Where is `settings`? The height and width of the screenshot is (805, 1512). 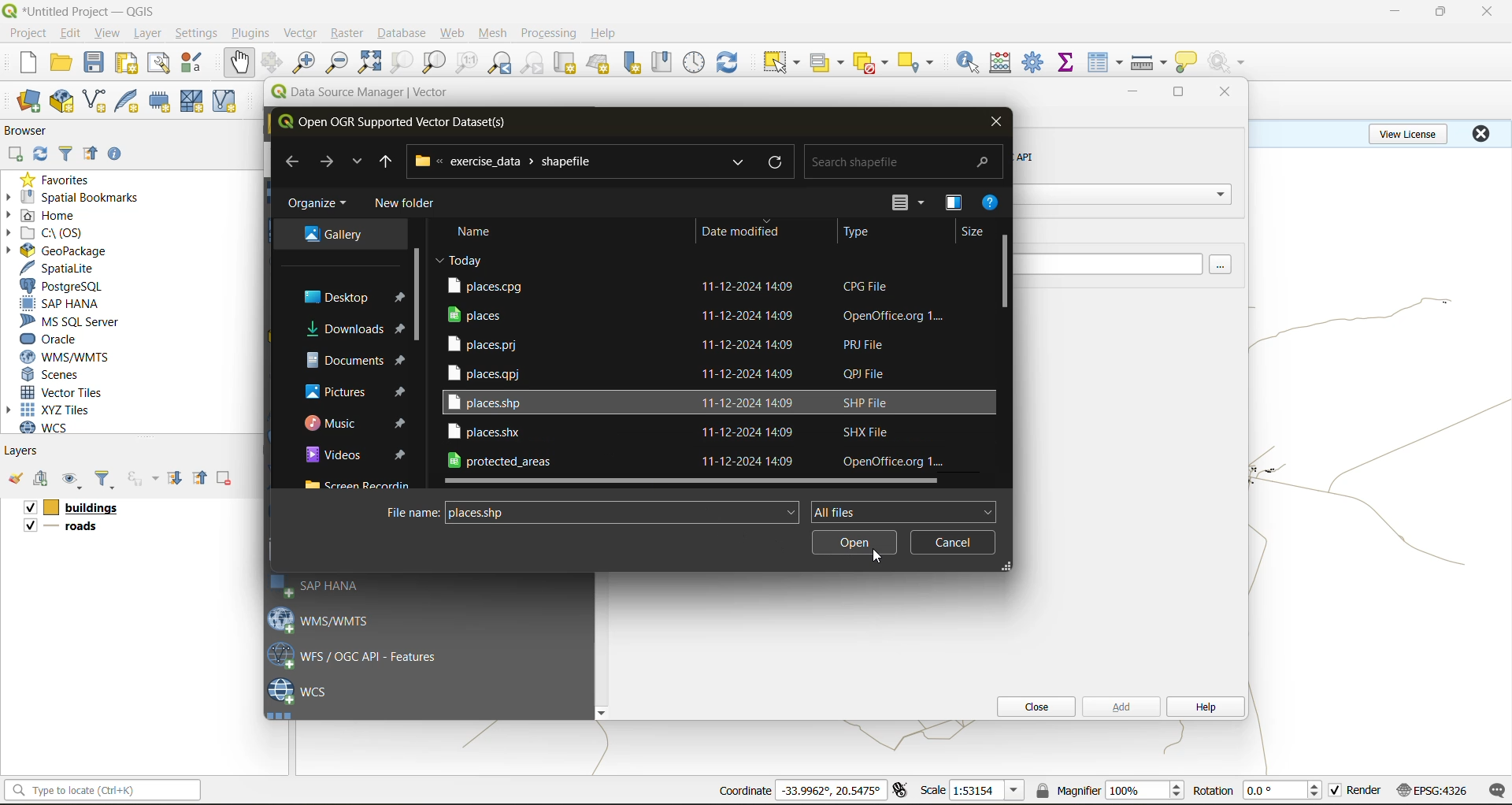
settings is located at coordinates (196, 35).